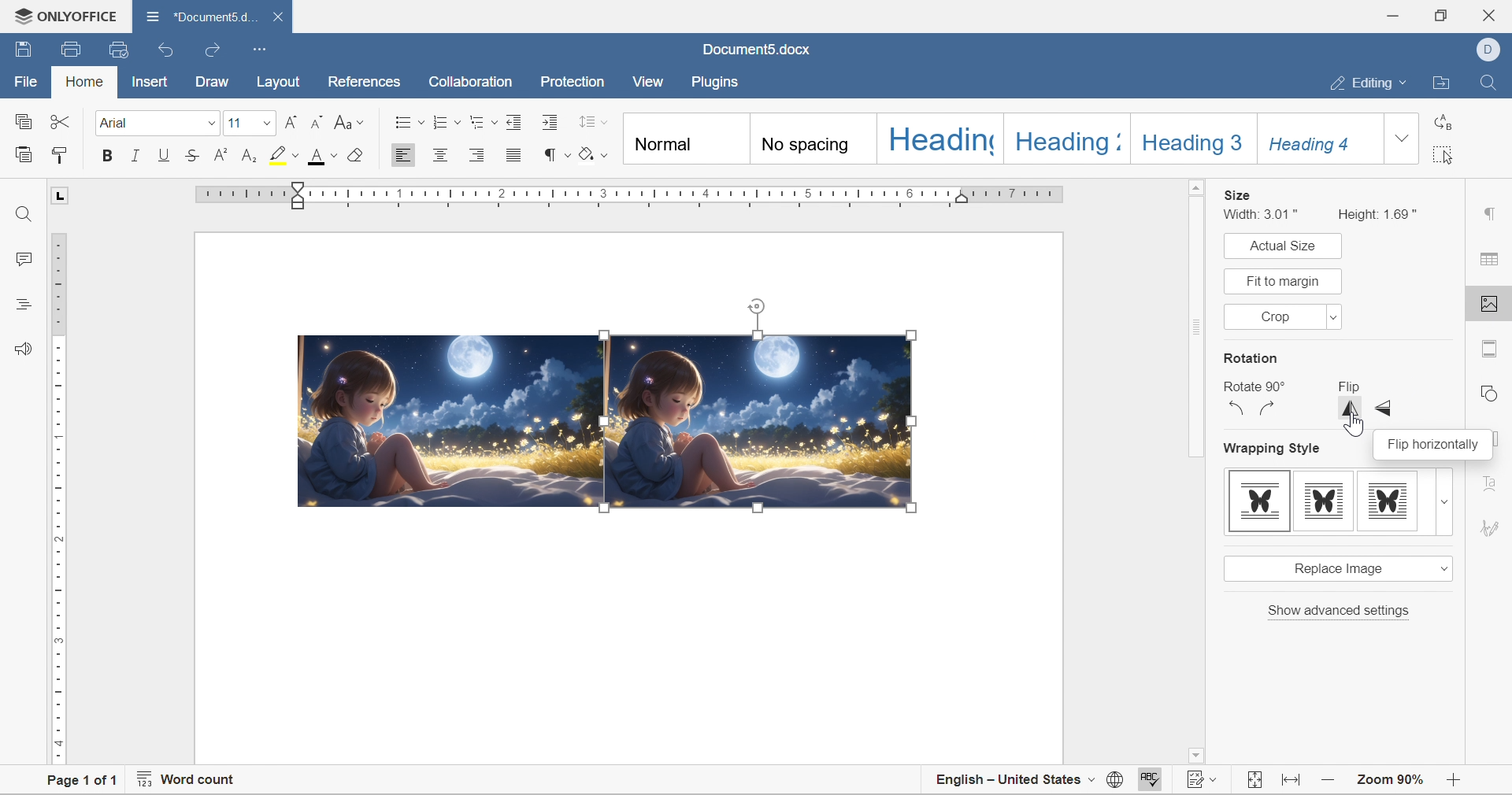 The width and height of the screenshot is (1512, 795). What do you see at coordinates (1445, 502) in the screenshot?
I see `drop down` at bounding box center [1445, 502].